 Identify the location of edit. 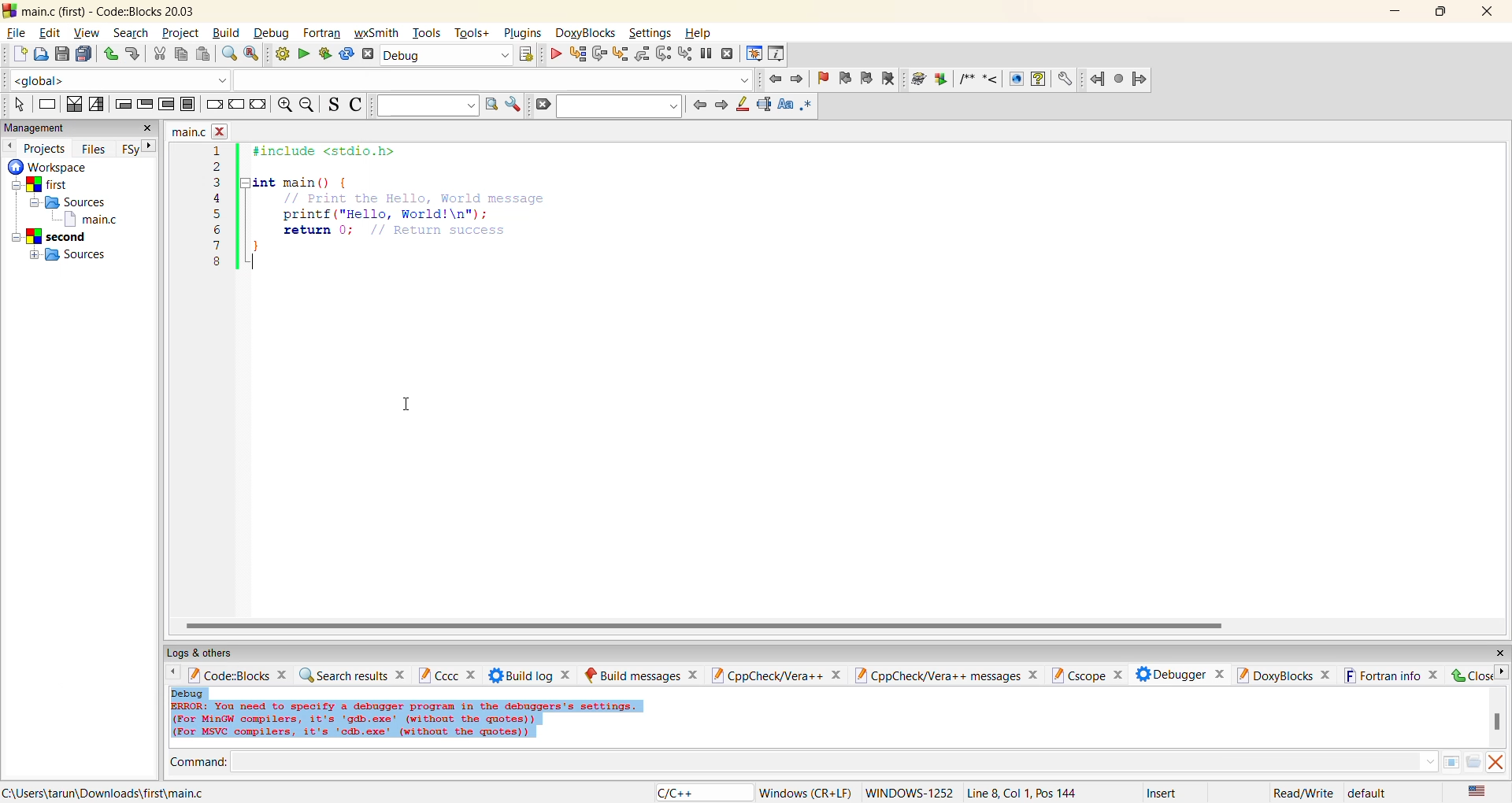
(53, 32).